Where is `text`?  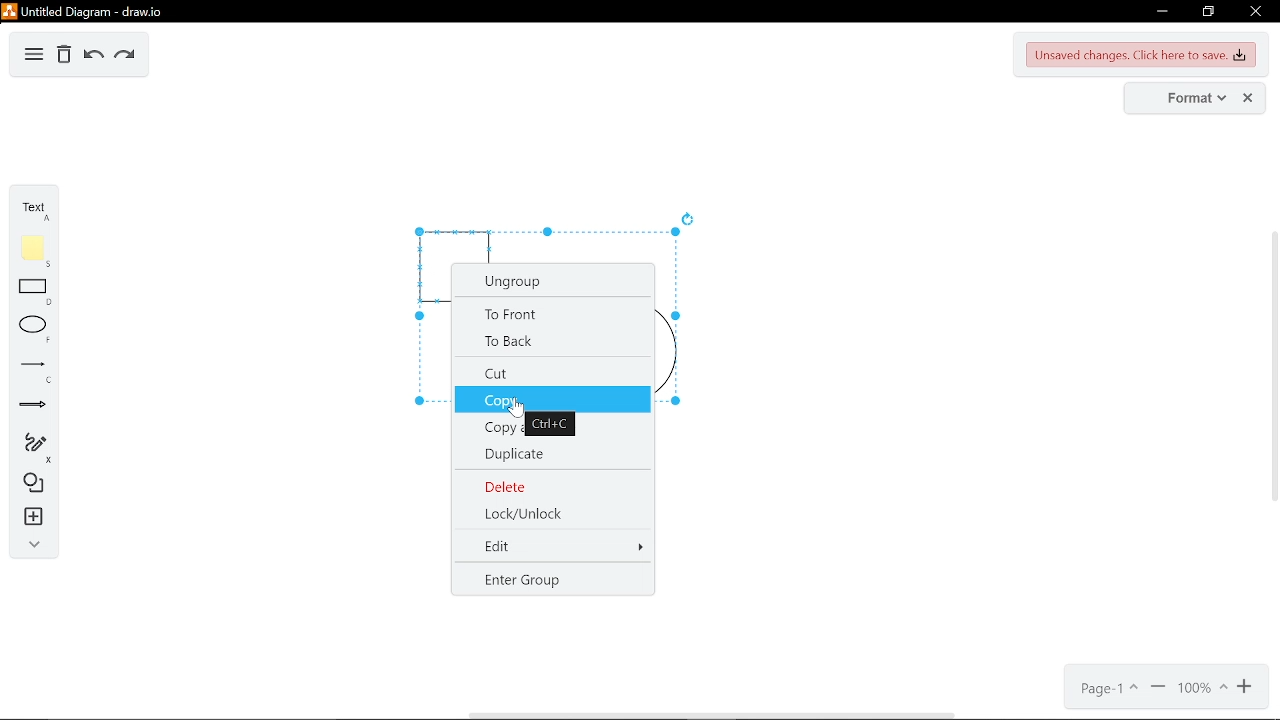
text is located at coordinates (32, 209).